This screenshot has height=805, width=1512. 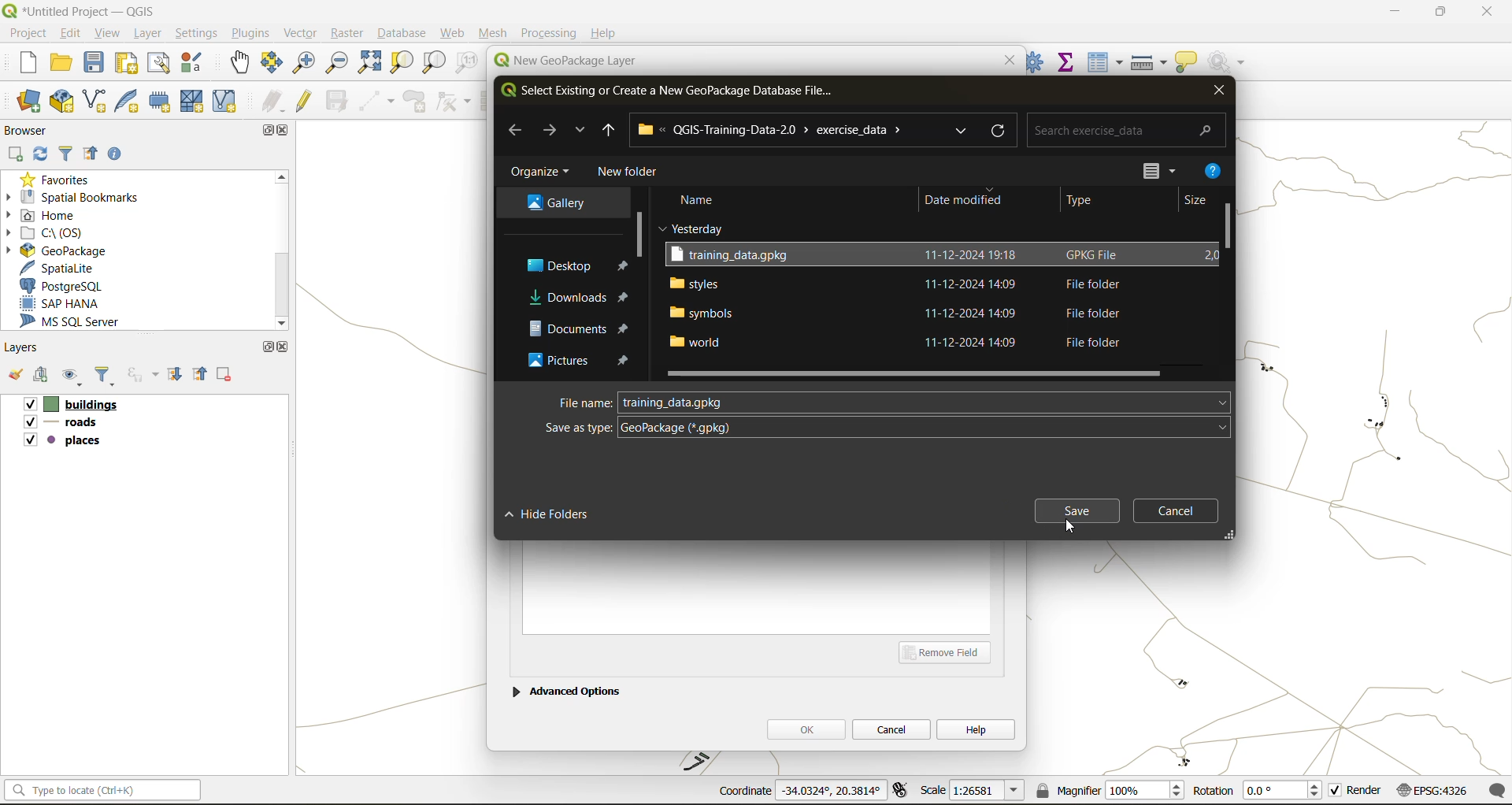 What do you see at coordinates (240, 65) in the screenshot?
I see `pan map` at bounding box center [240, 65].